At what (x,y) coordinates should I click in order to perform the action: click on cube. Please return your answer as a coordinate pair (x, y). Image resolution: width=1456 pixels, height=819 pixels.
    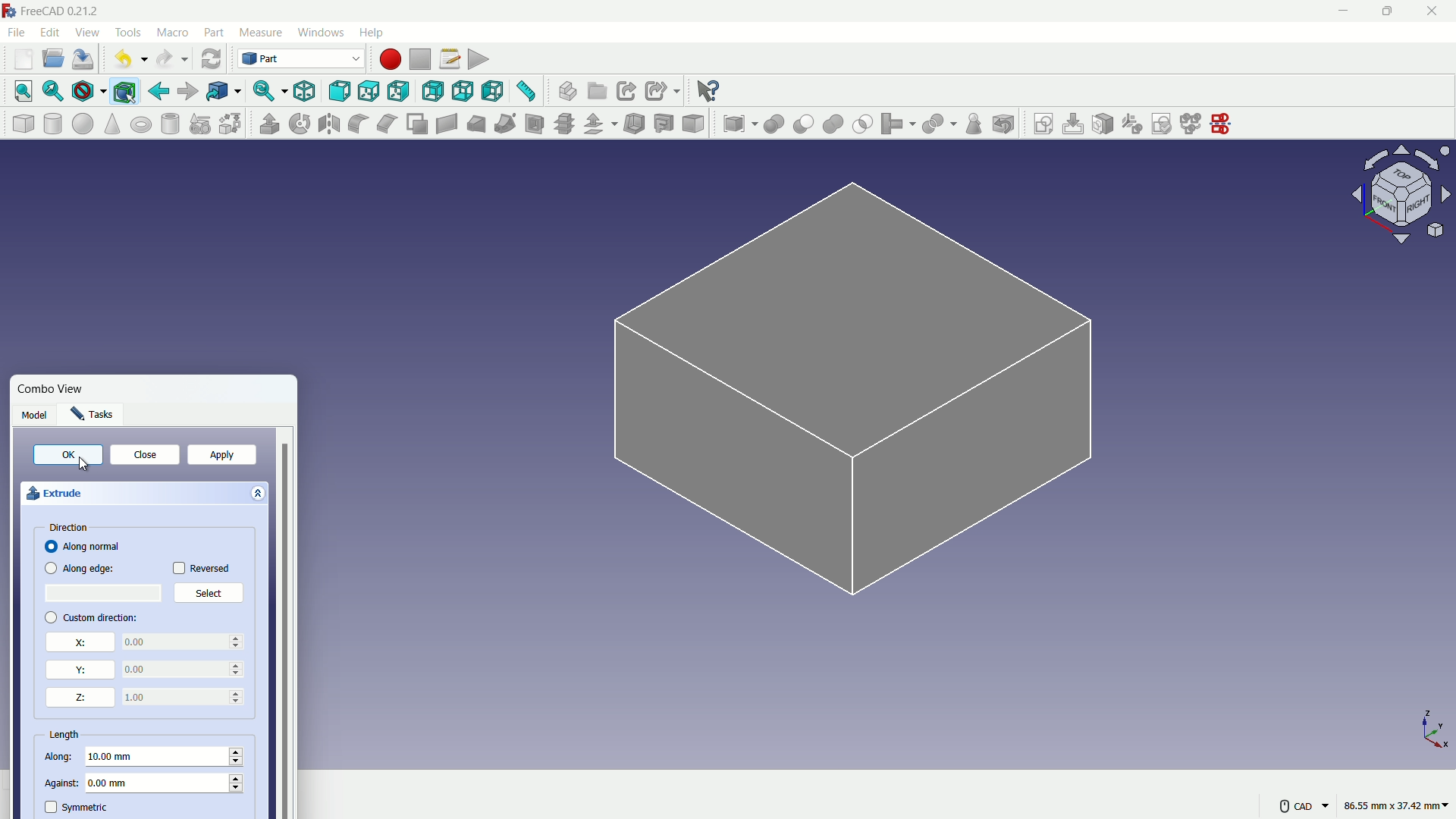
    Looking at the image, I should click on (23, 124).